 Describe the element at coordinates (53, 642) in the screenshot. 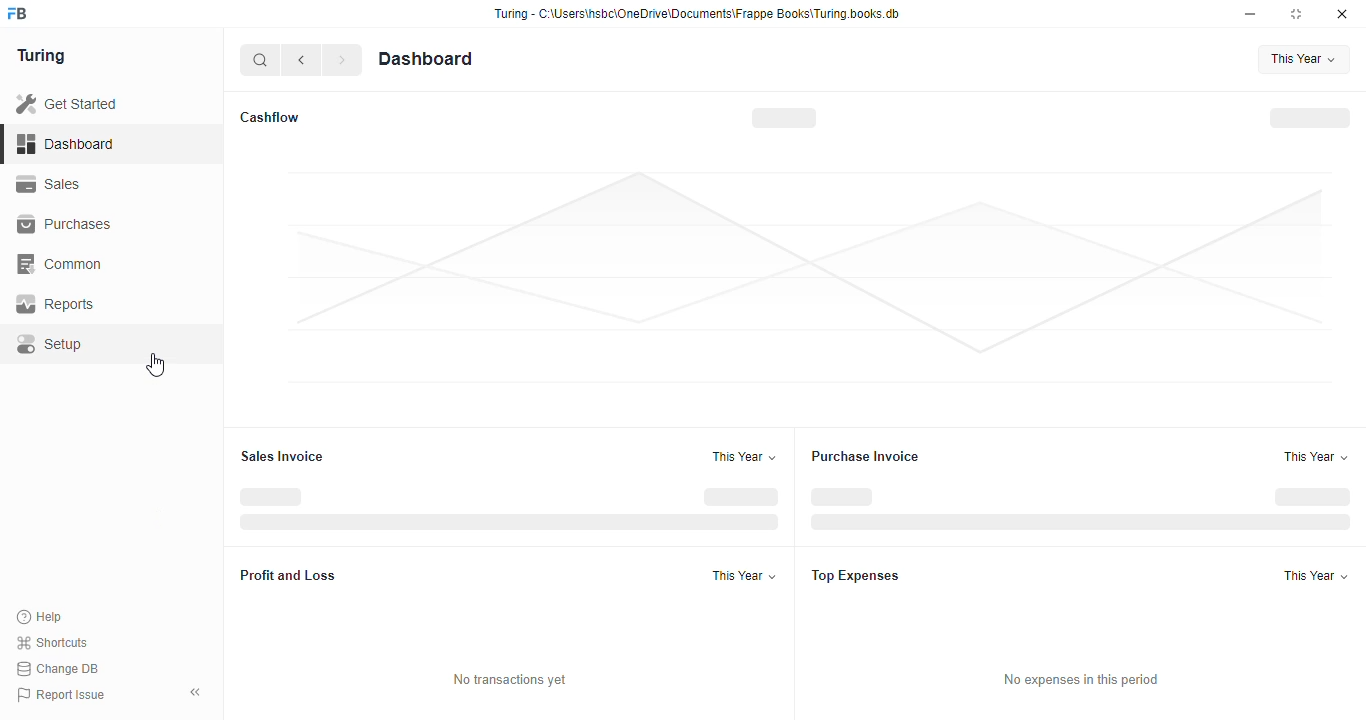

I see `shortcuts` at that location.